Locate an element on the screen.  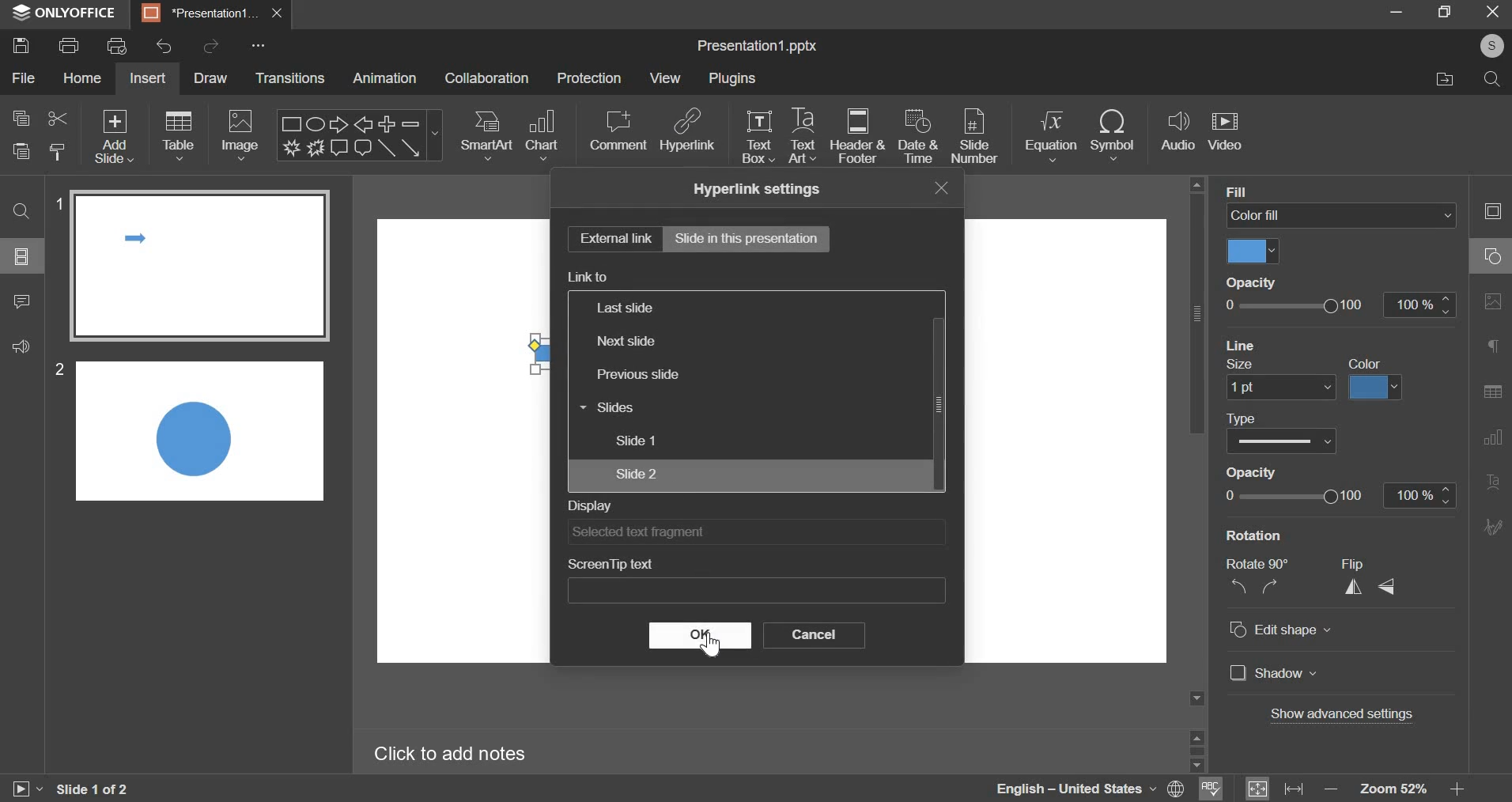
previous slide is located at coordinates (638, 374).